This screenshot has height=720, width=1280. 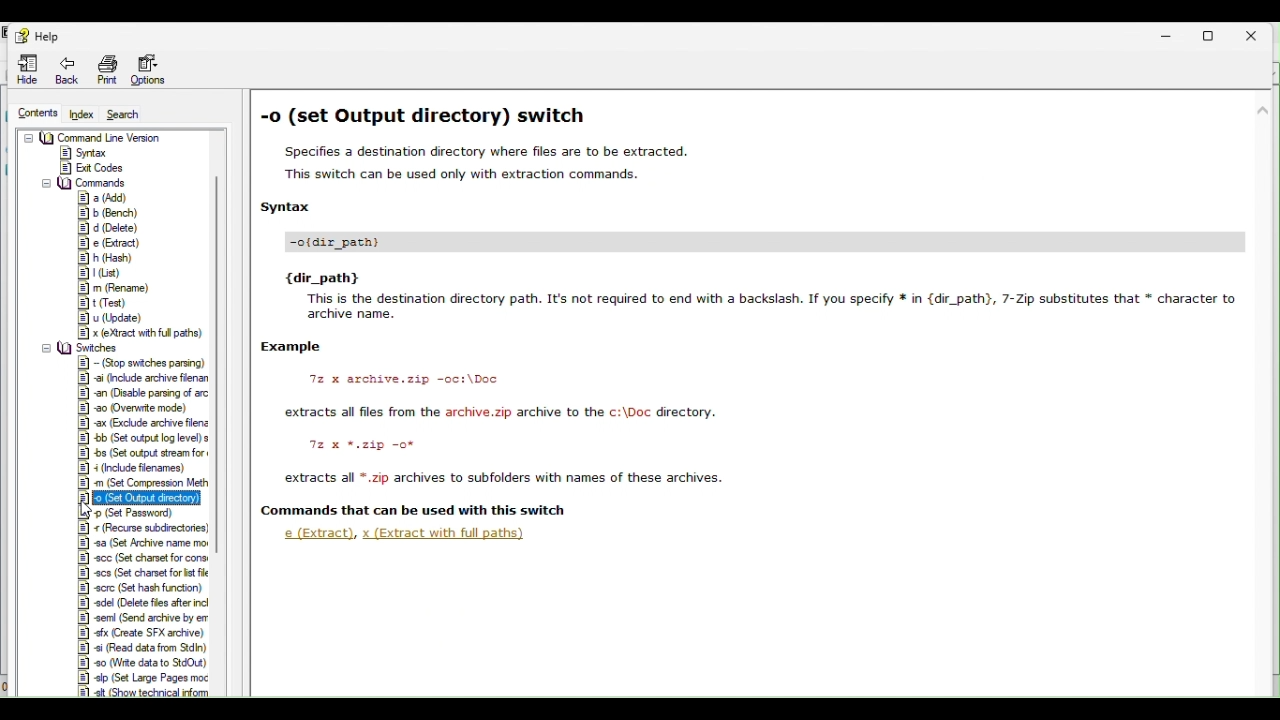 I want to click on delete Files after incl, so click(x=142, y=603).